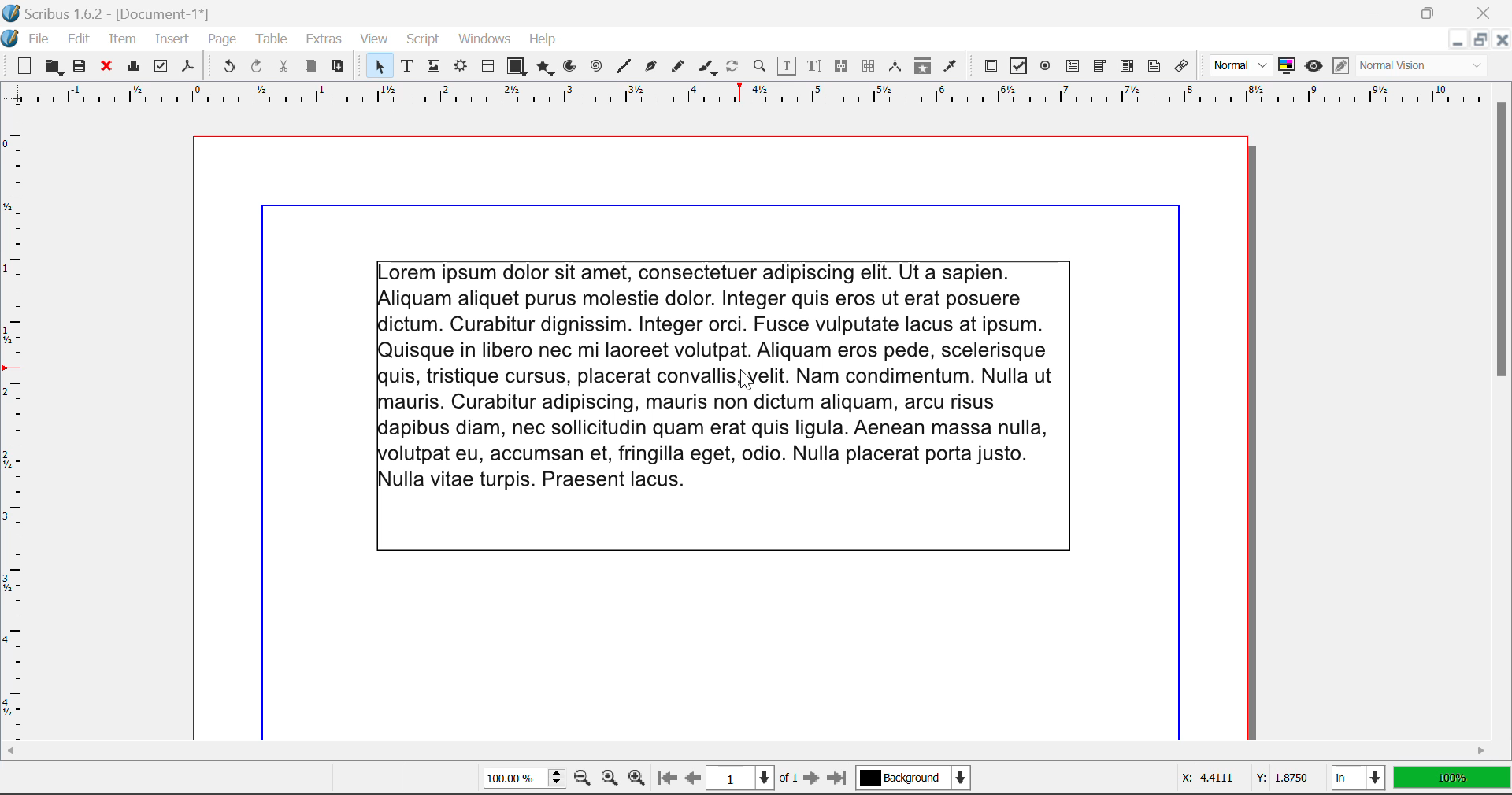  Describe the element at coordinates (709, 69) in the screenshot. I see `Calligraphic Line` at that location.